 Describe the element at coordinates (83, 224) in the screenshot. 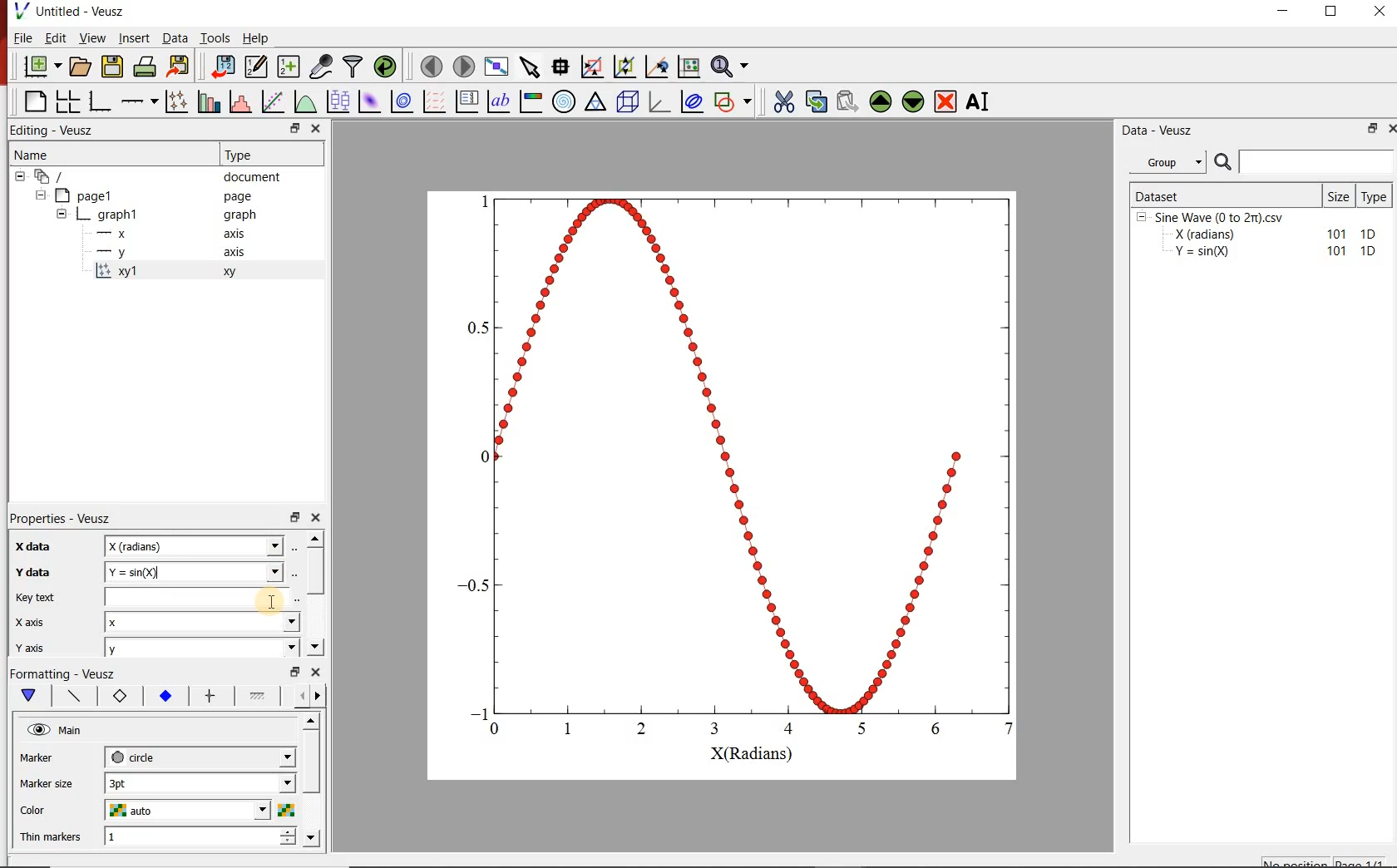

I see `Page 1 Graph 1` at that location.